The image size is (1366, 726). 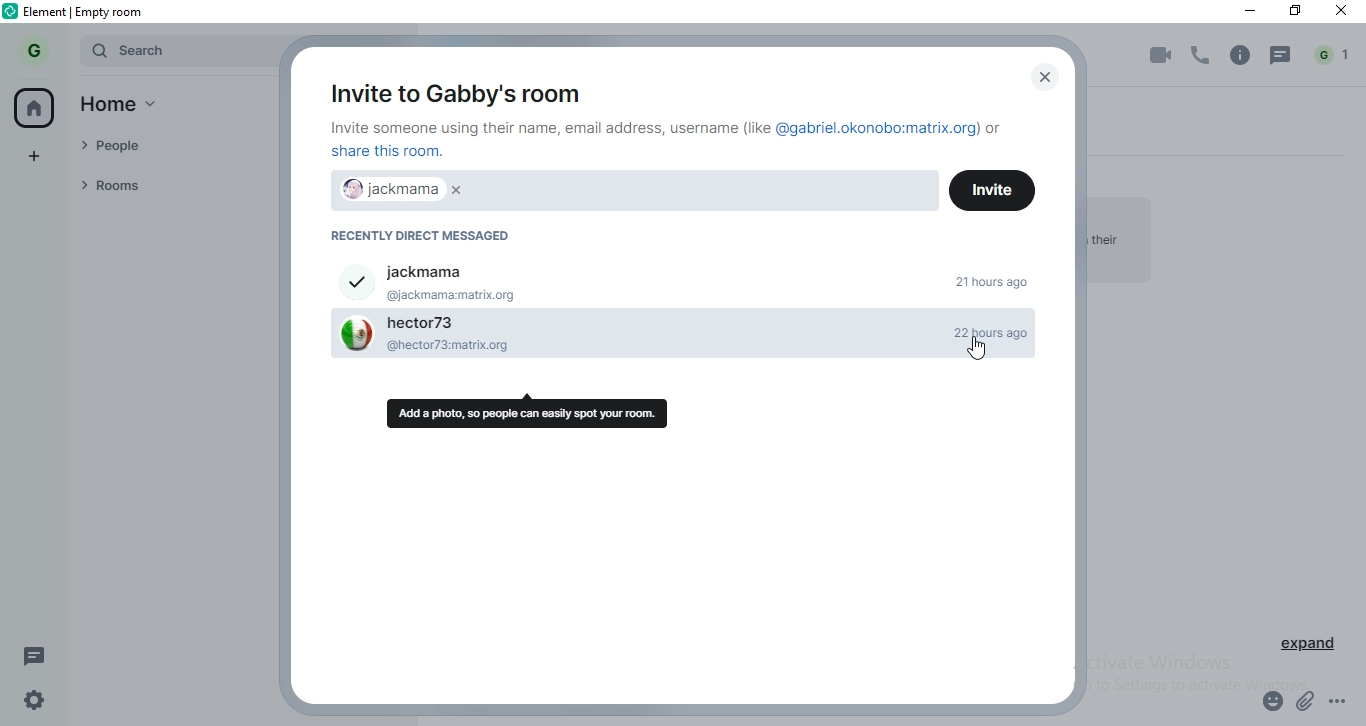 What do you see at coordinates (1344, 13) in the screenshot?
I see `close` at bounding box center [1344, 13].